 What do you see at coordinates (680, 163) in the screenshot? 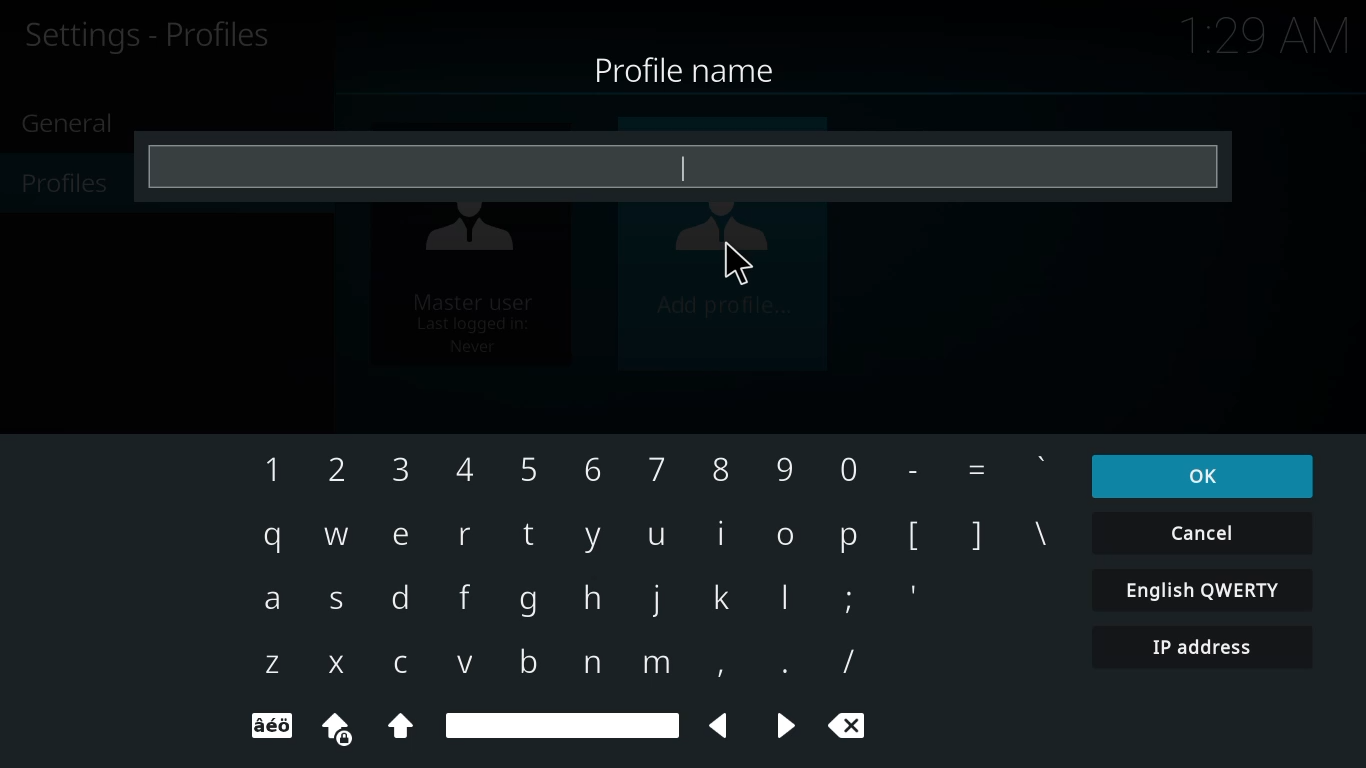
I see `type` at bounding box center [680, 163].